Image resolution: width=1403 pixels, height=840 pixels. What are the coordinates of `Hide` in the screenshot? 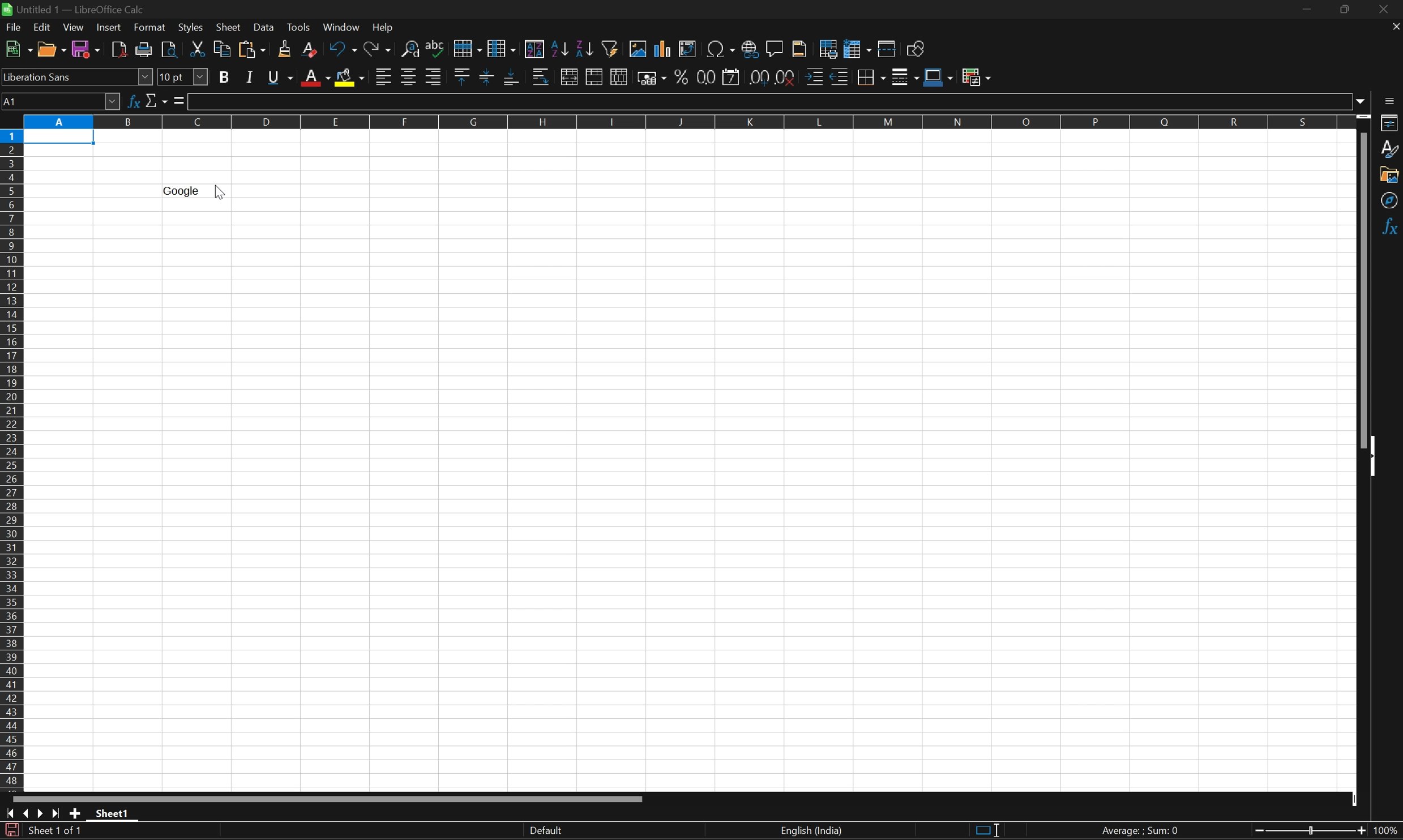 It's located at (1376, 457).